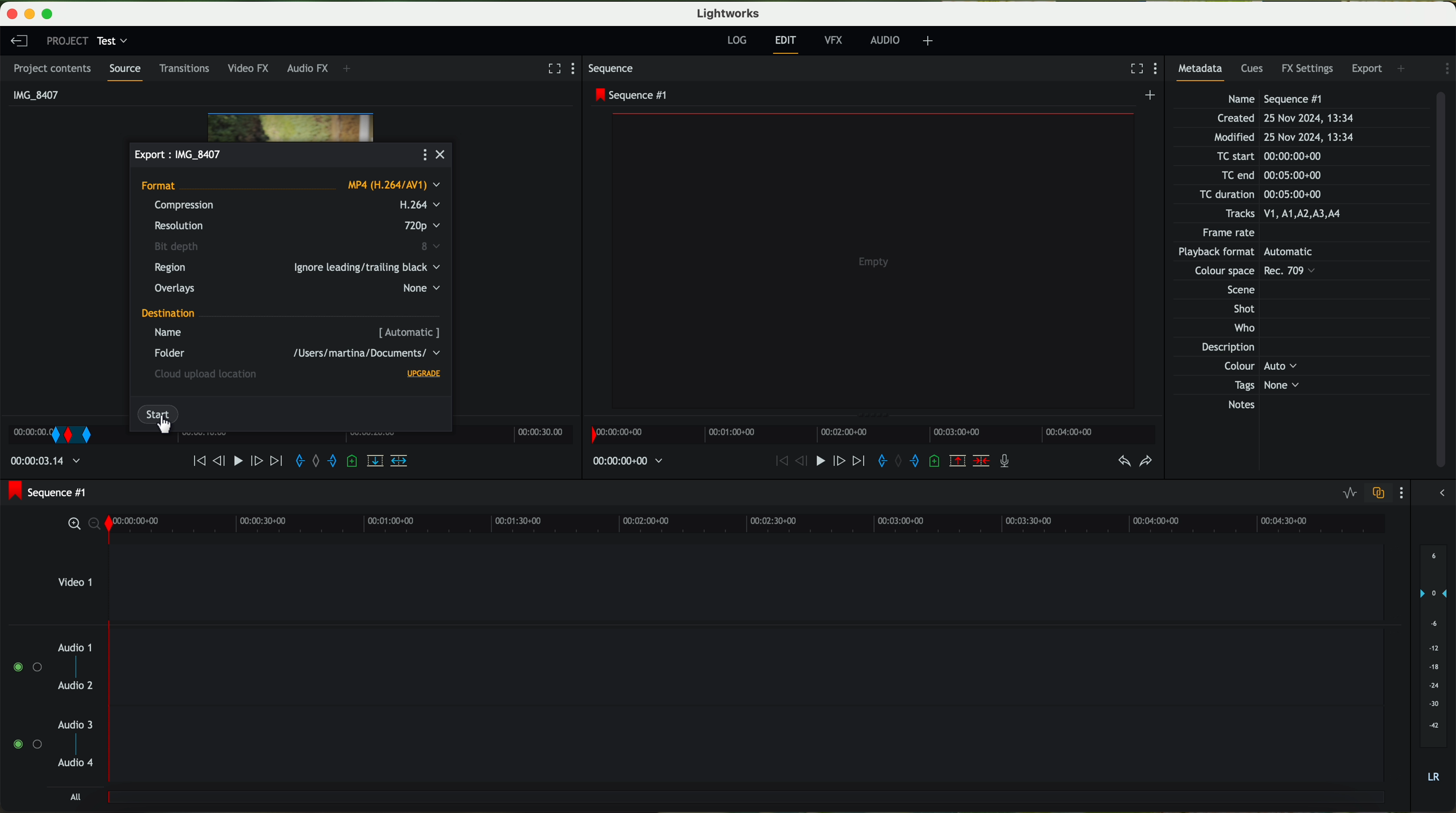 Image resolution: width=1456 pixels, height=813 pixels. I want to click on video FX, so click(251, 70).